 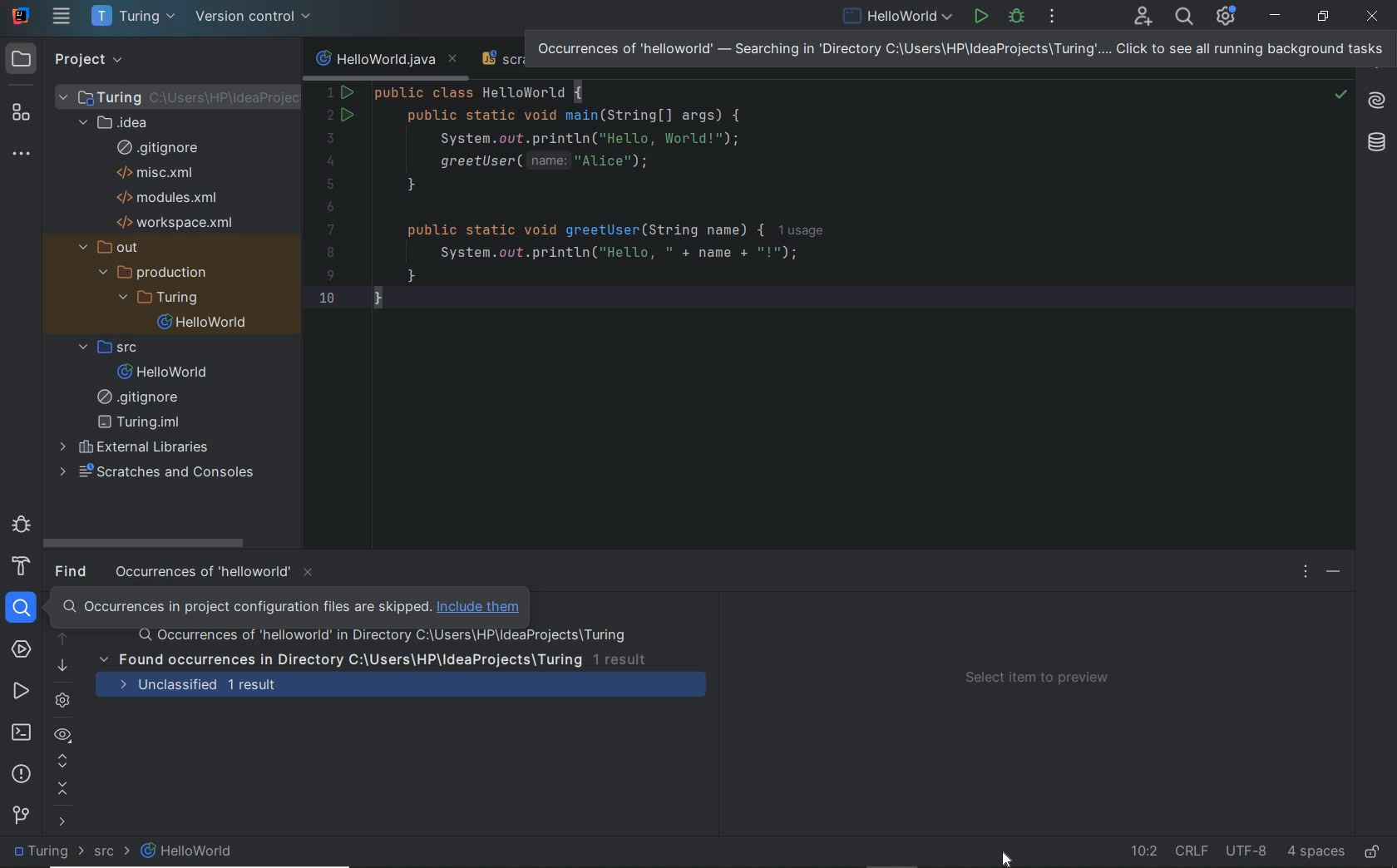 What do you see at coordinates (135, 17) in the screenshot?
I see `project name` at bounding box center [135, 17].